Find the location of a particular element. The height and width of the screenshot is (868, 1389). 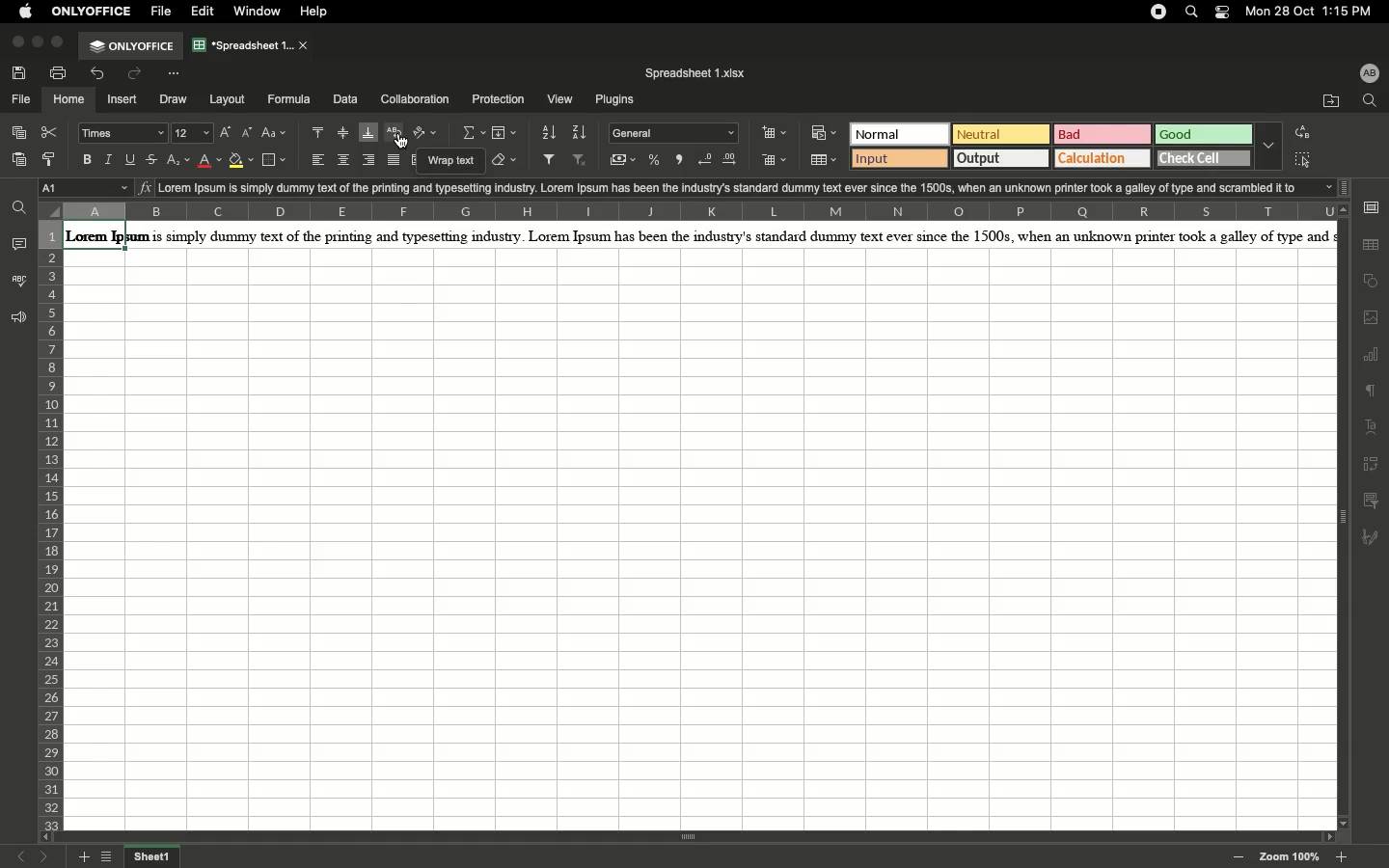

Sort descending  is located at coordinates (582, 132).